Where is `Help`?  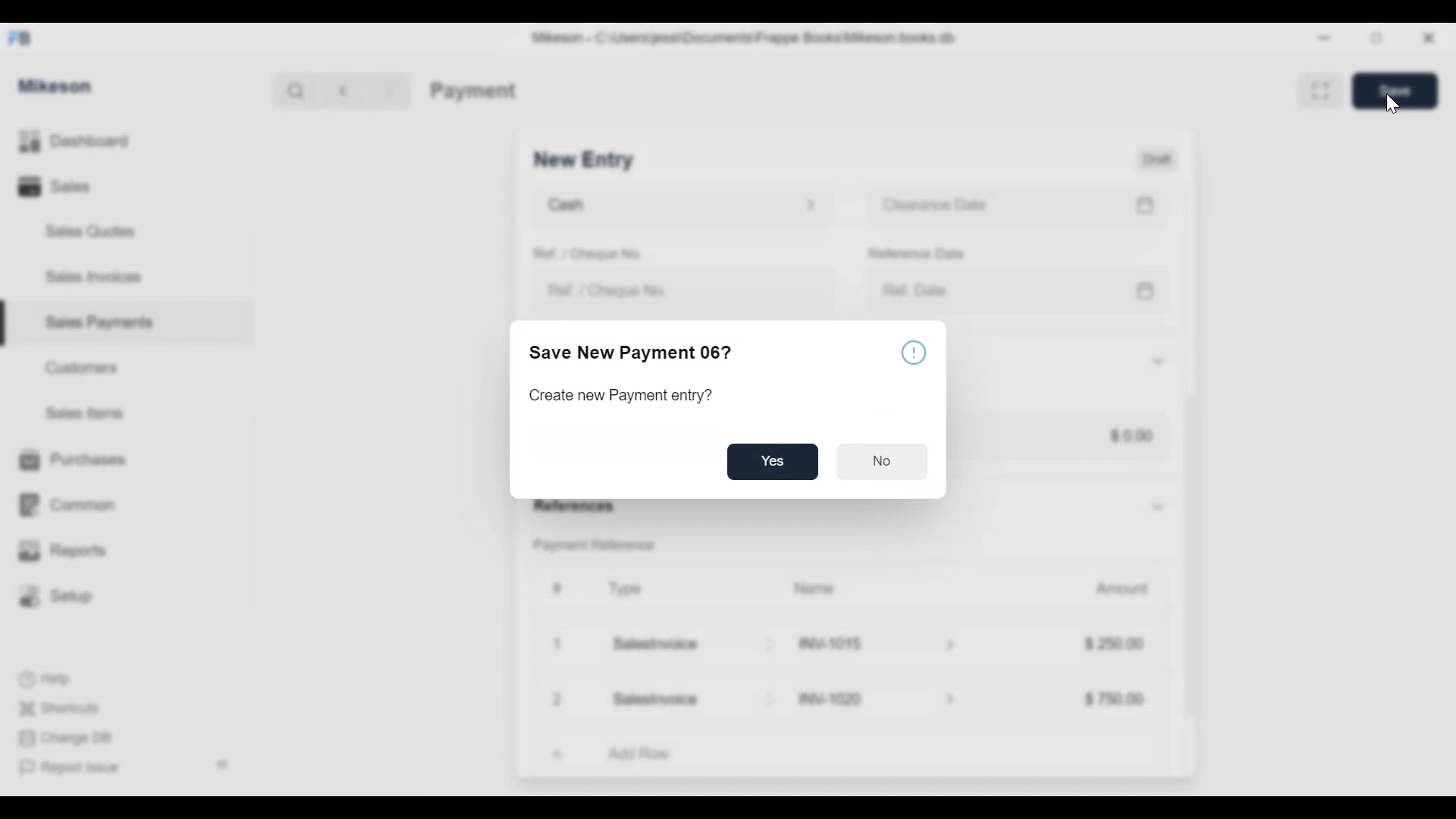
Help is located at coordinates (56, 679).